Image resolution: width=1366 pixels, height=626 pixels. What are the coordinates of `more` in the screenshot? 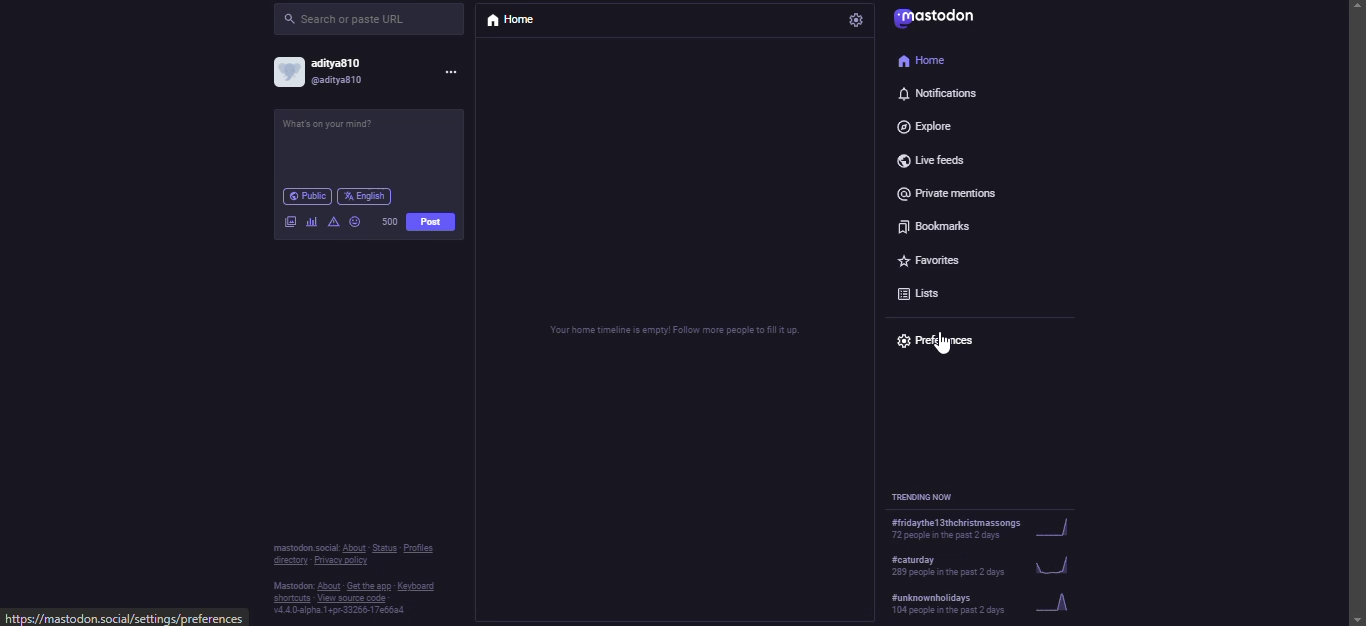 It's located at (452, 73).